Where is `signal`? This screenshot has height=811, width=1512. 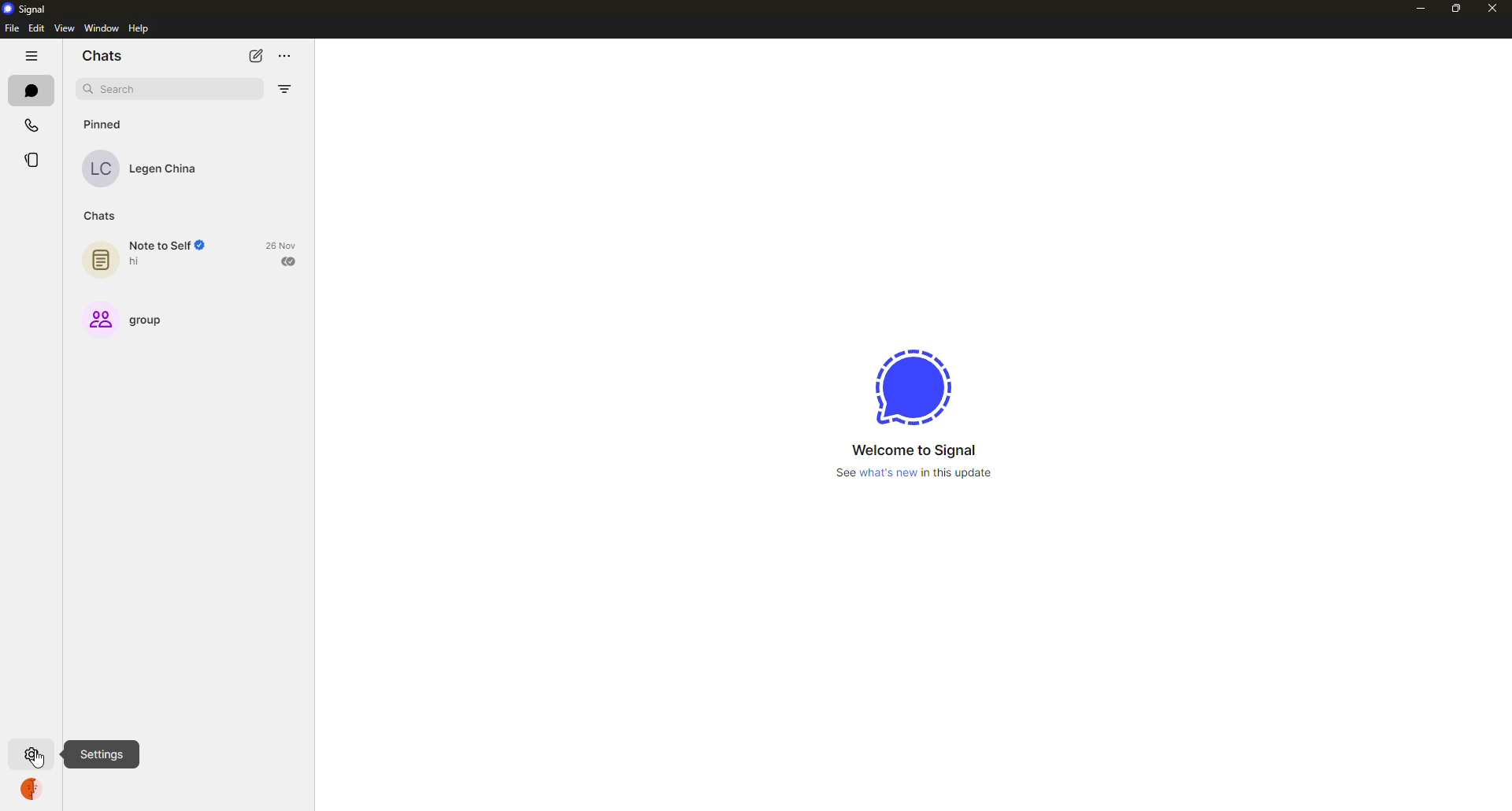
signal is located at coordinates (912, 386).